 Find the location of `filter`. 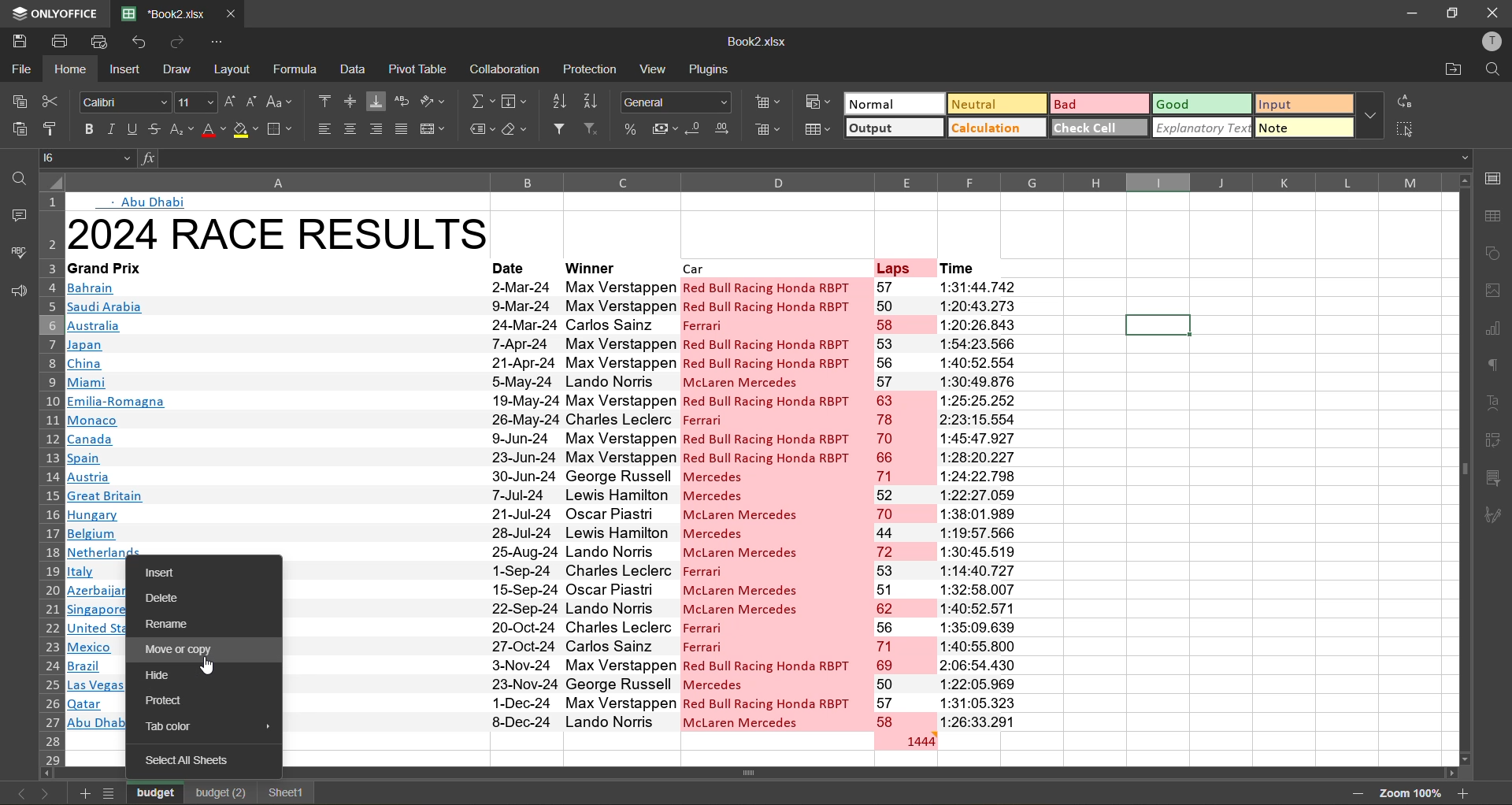

filter is located at coordinates (563, 131).